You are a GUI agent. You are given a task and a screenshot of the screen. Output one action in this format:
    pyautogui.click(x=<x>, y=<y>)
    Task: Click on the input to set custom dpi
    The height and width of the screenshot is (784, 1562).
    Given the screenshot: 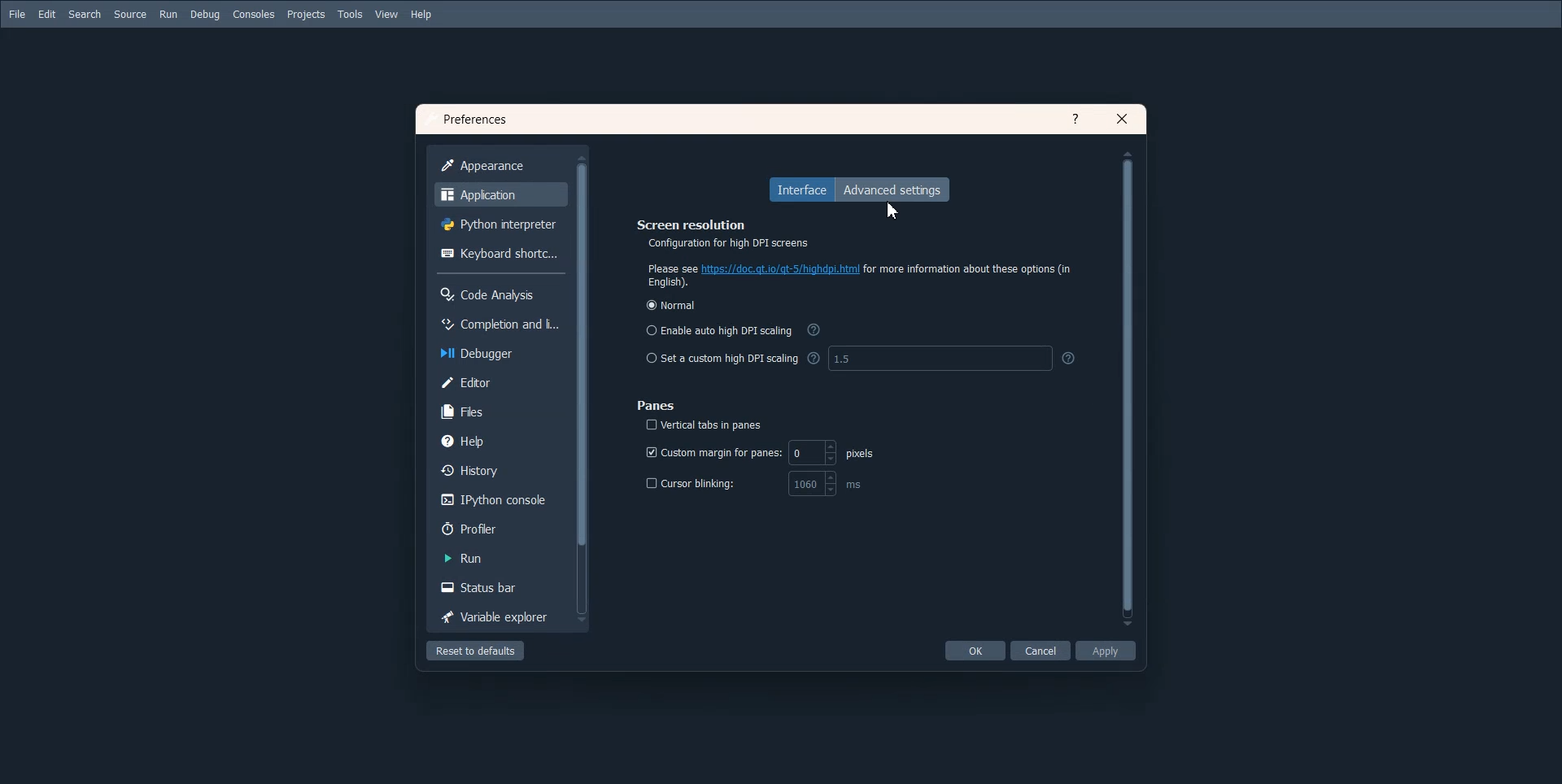 What is the action you would take?
    pyautogui.click(x=953, y=359)
    